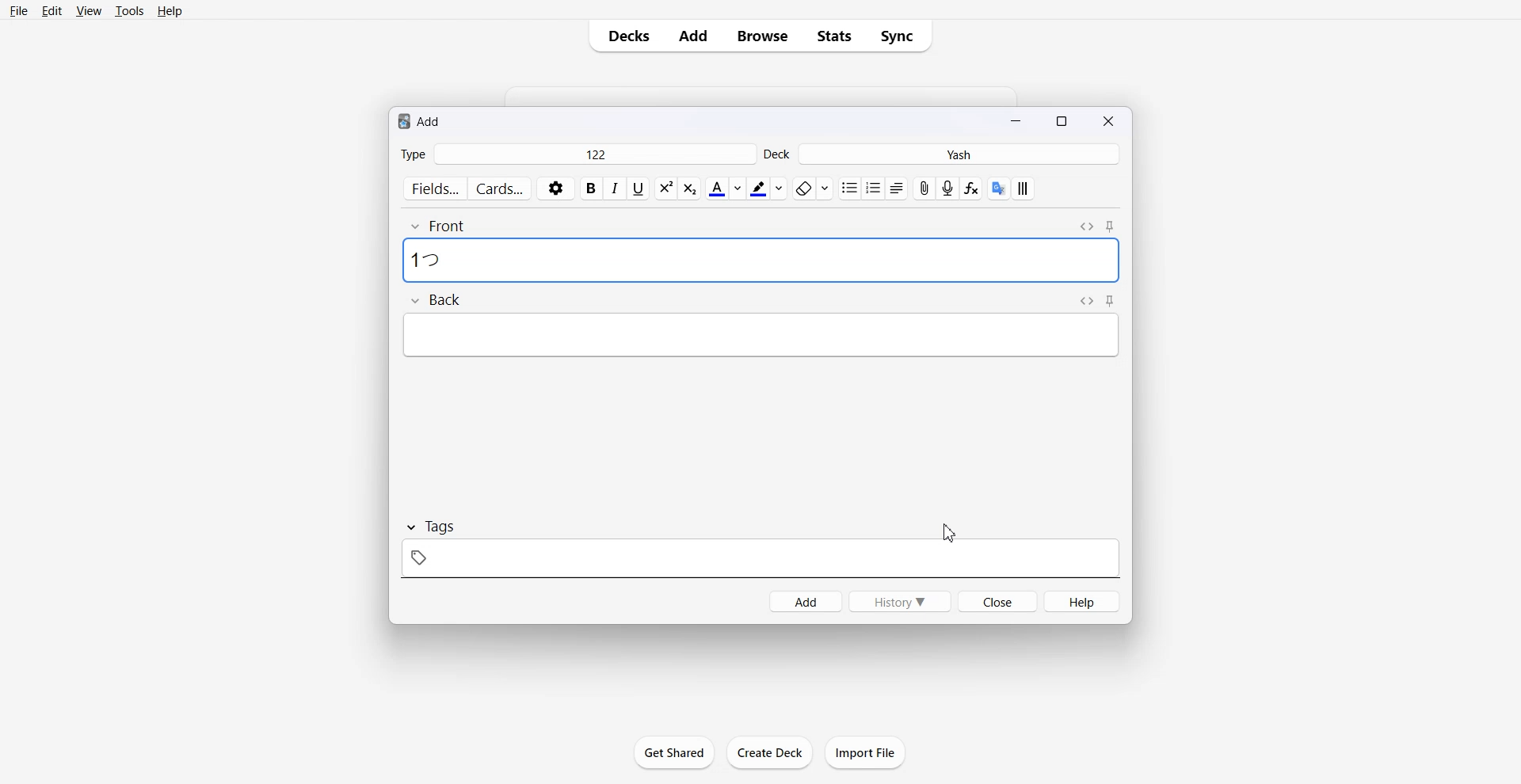  Describe the element at coordinates (129, 10) in the screenshot. I see `Tools` at that location.